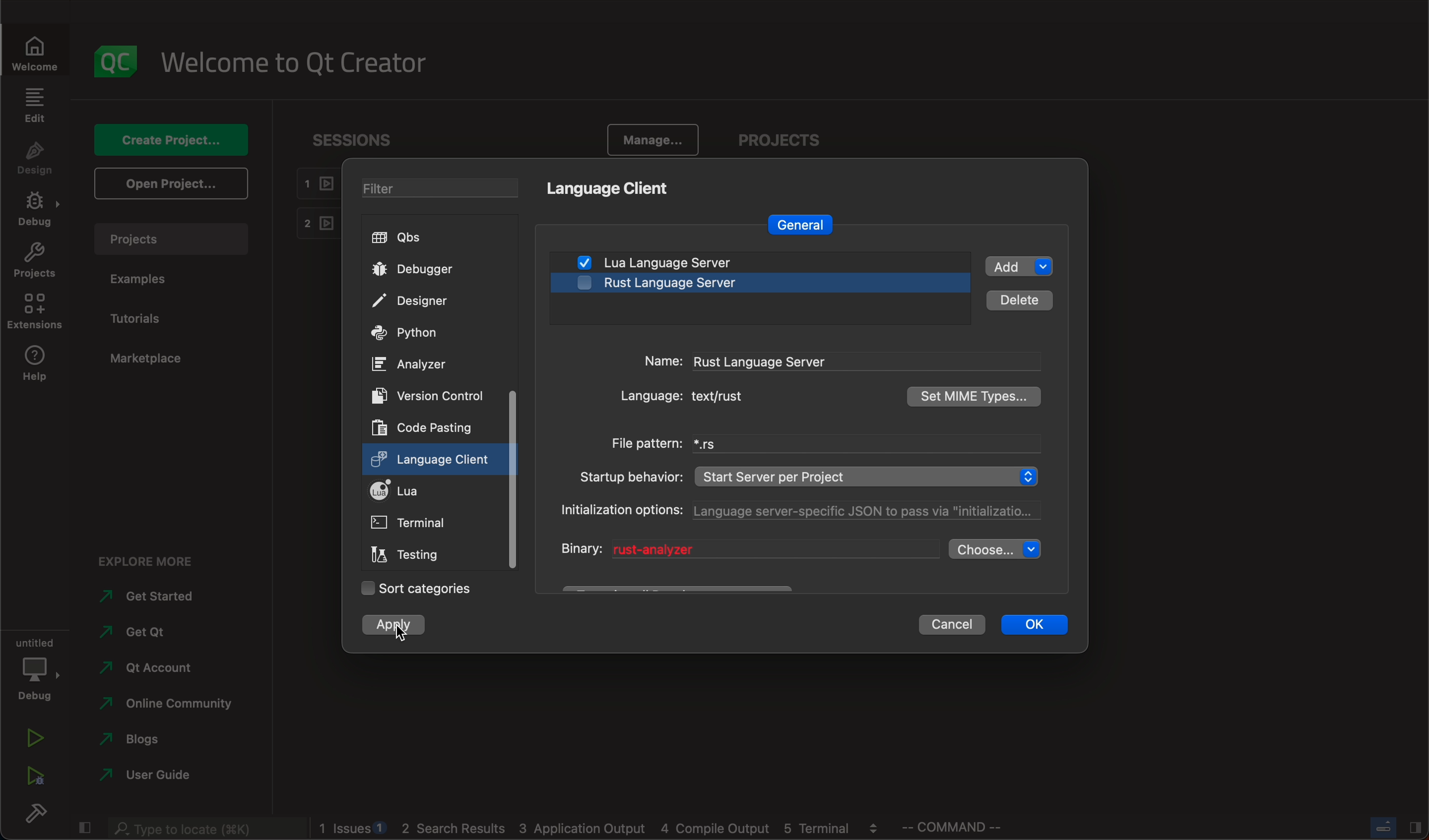  What do you see at coordinates (147, 670) in the screenshot?
I see `account` at bounding box center [147, 670].